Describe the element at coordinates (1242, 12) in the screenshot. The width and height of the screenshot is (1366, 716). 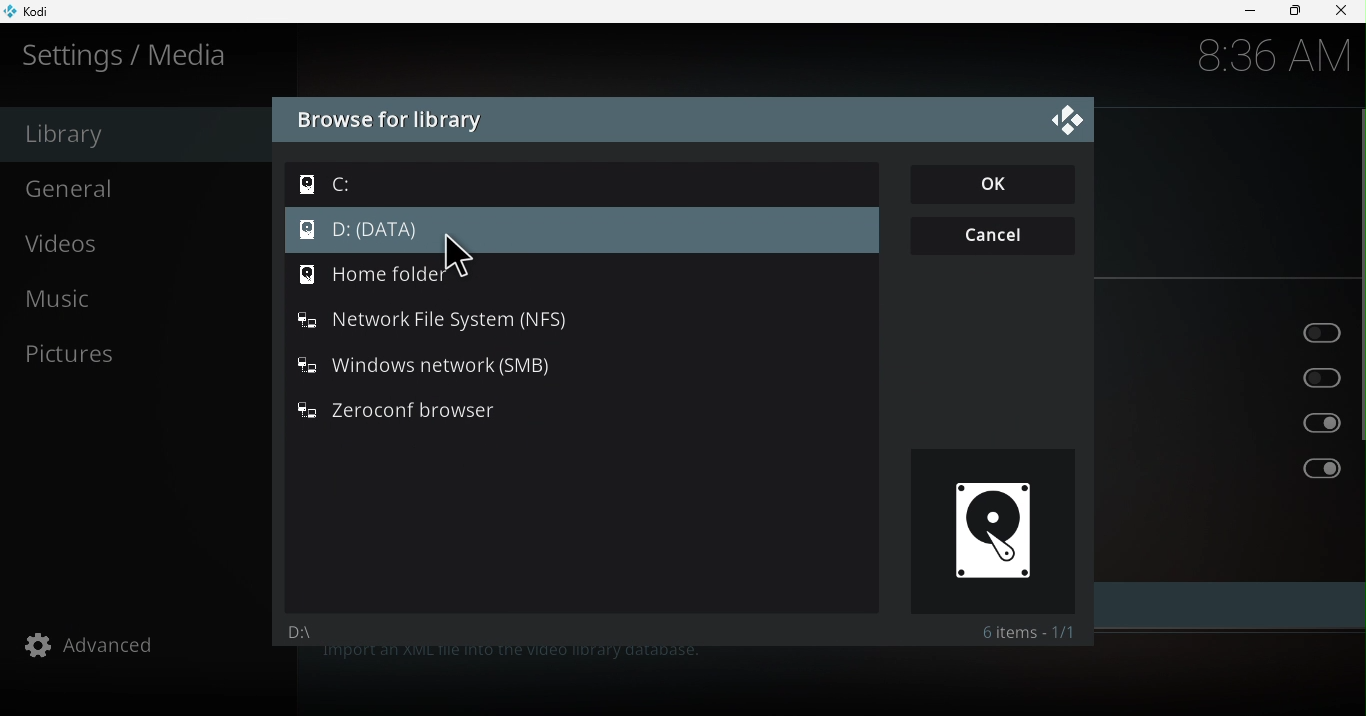
I see `Minimize` at that location.